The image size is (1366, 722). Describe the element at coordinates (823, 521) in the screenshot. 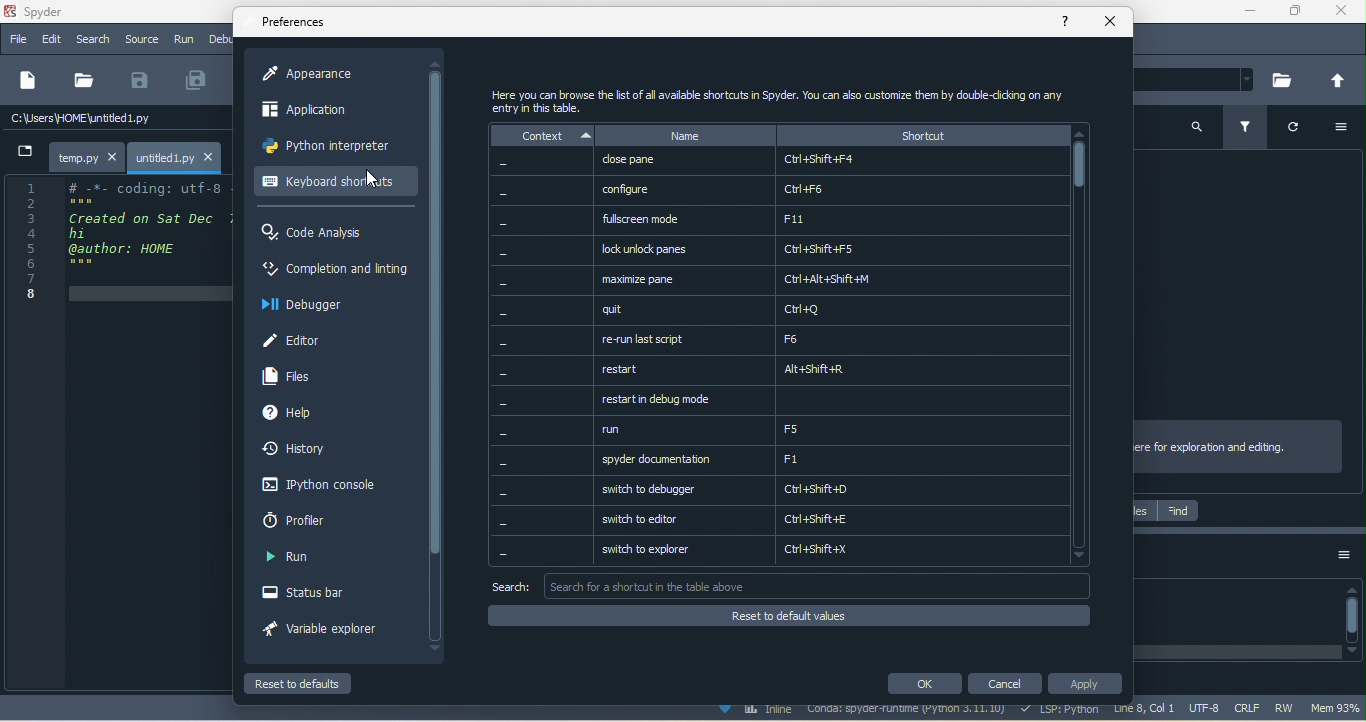

I see `switch to editor` at that location.